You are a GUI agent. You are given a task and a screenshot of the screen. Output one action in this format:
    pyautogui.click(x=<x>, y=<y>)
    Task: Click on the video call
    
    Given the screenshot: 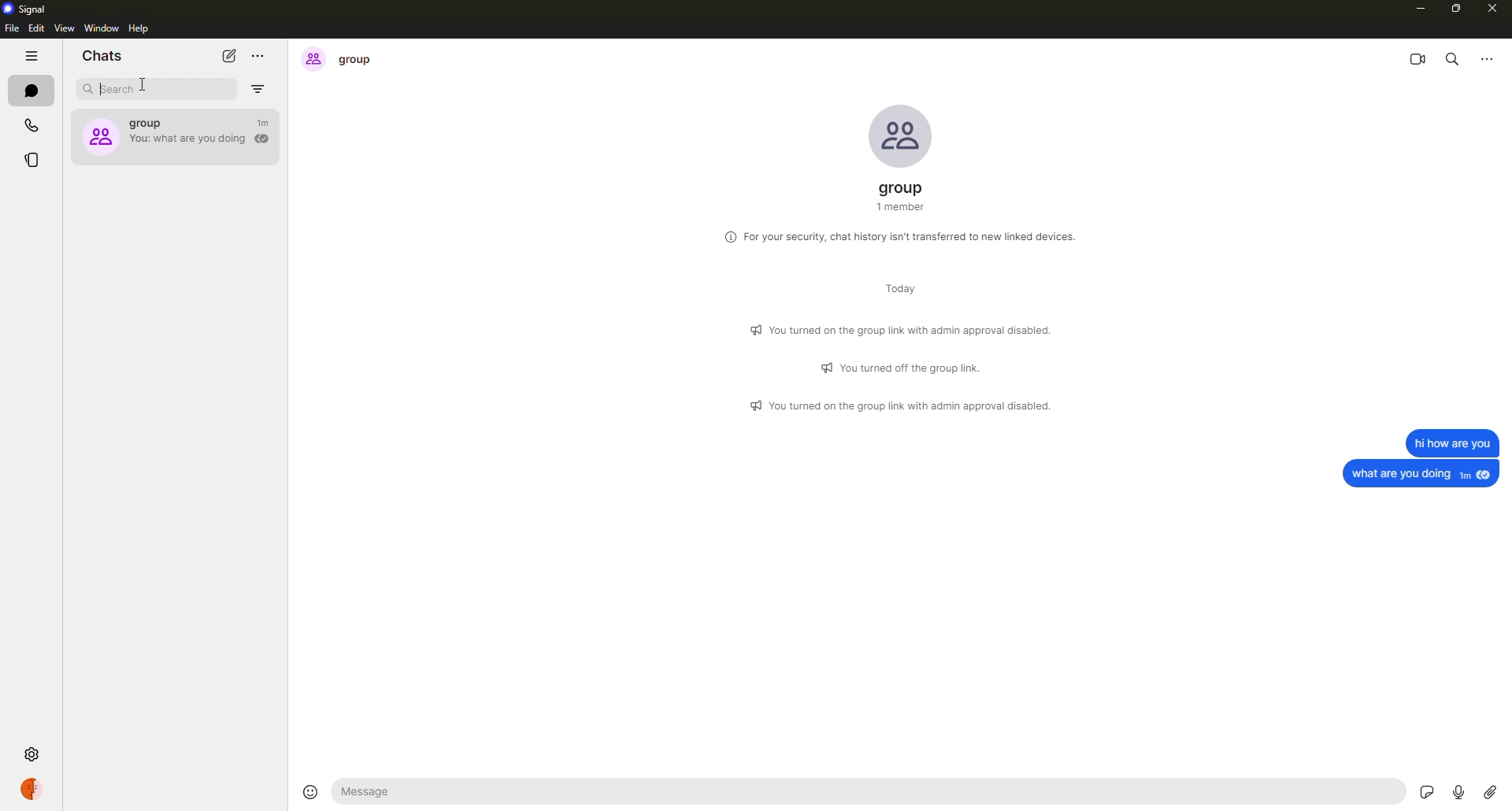 What is the action you would take?
    pyautogui.click(x=1418, y=57)
    